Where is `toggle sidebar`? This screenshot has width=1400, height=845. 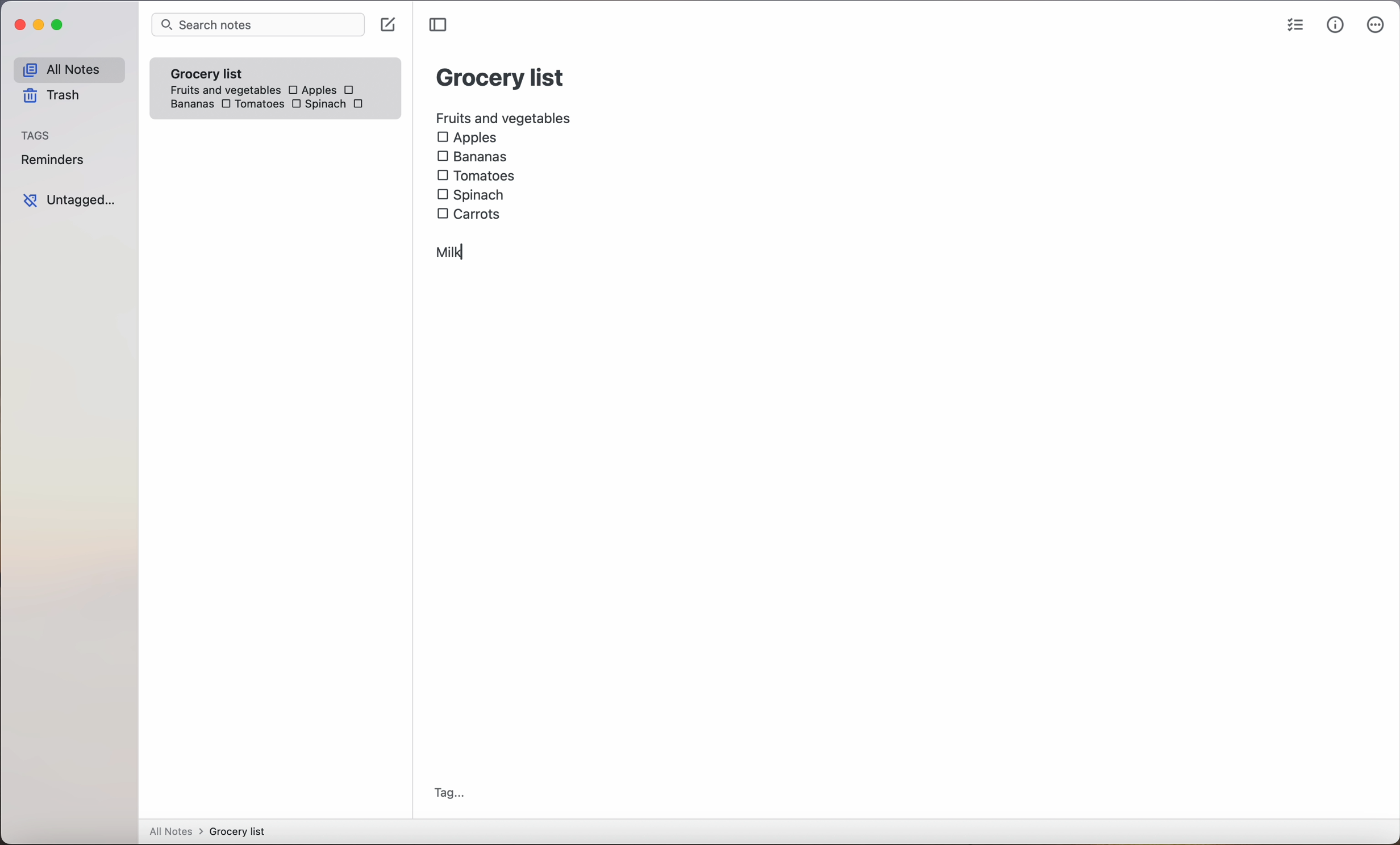 toggle sidebar is located at coordinates (440, 25).